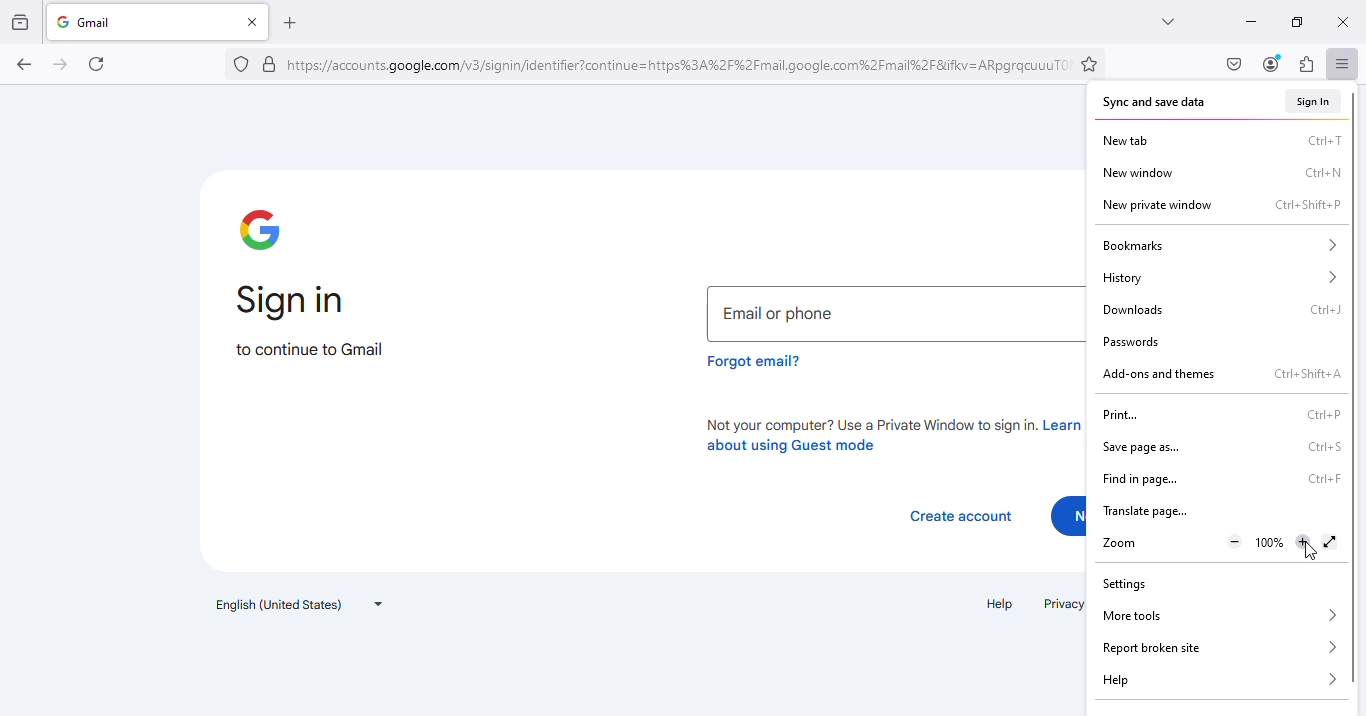 The image size is (1366, 716). I want to click on privacy, so click(1064, 604).